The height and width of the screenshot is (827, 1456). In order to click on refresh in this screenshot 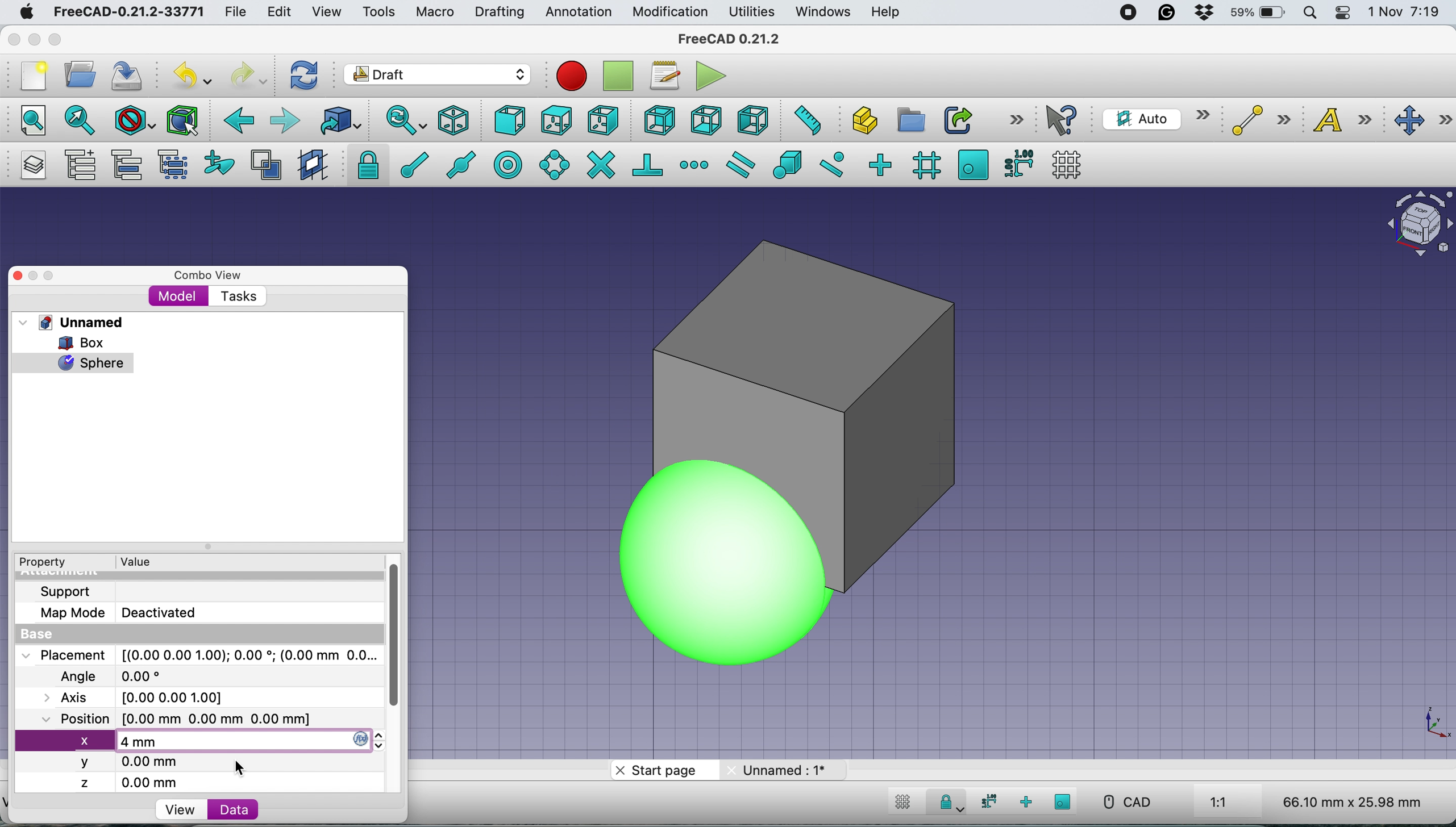, I will do `click(302, 74)`.